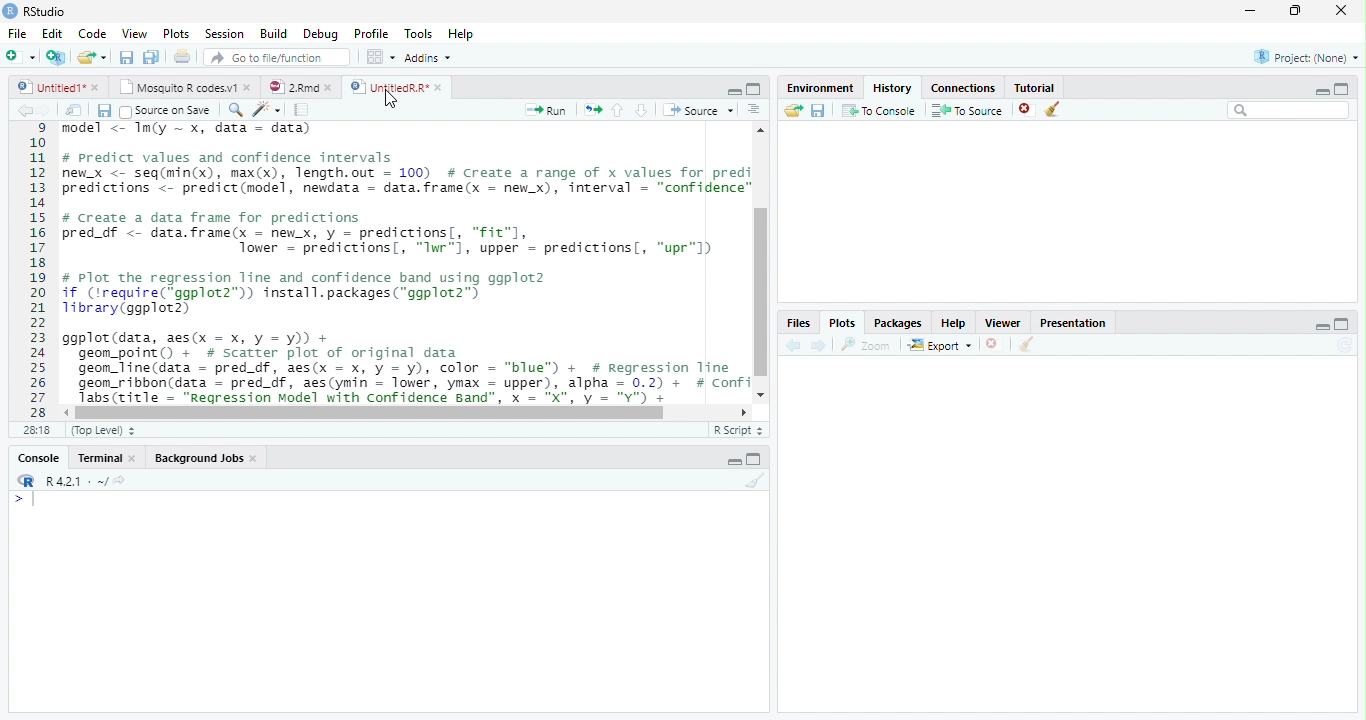 This screenshot has height=720, width=1366. I want to click on 2 Rmd, so click(300, 85).